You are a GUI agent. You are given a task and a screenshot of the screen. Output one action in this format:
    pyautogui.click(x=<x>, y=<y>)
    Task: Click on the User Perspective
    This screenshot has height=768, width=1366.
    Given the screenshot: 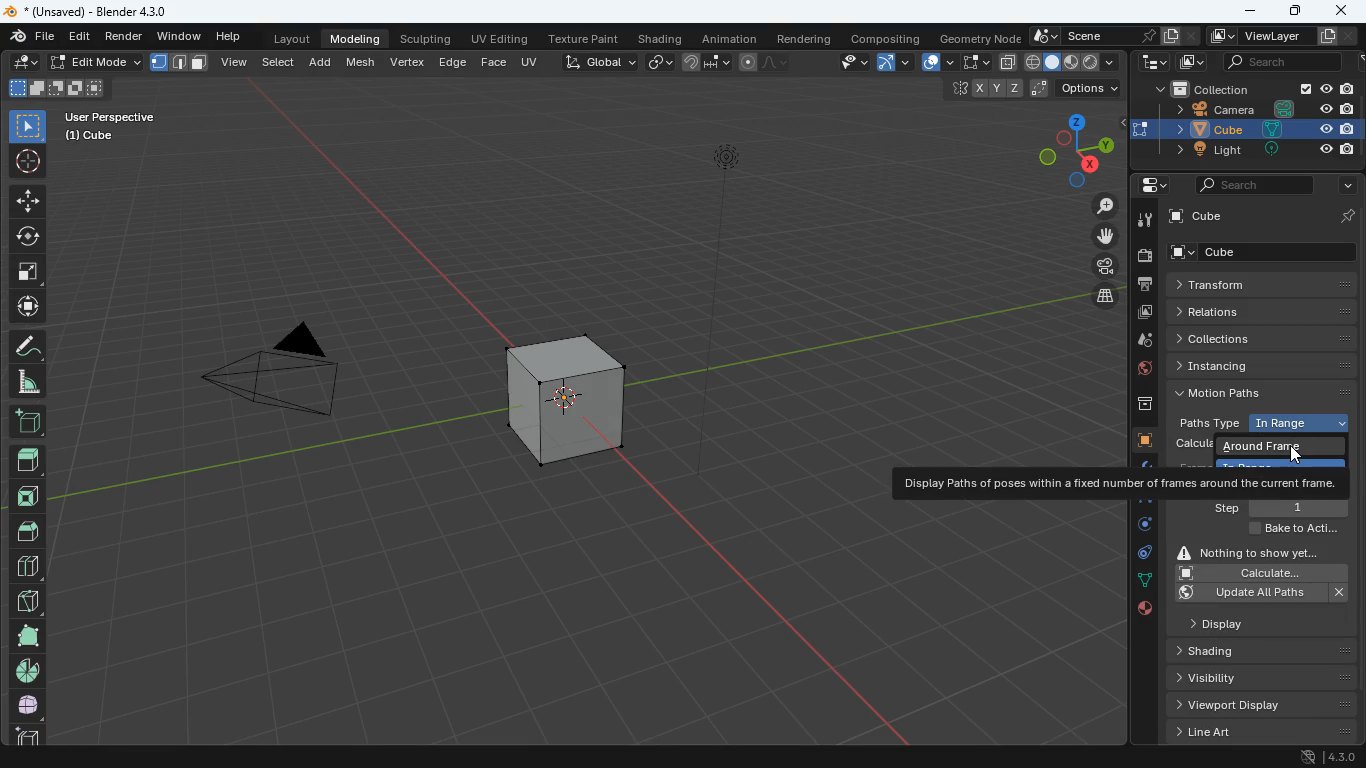 What is the action you would take?
    pyautogui.click(x=110, y=114)
    